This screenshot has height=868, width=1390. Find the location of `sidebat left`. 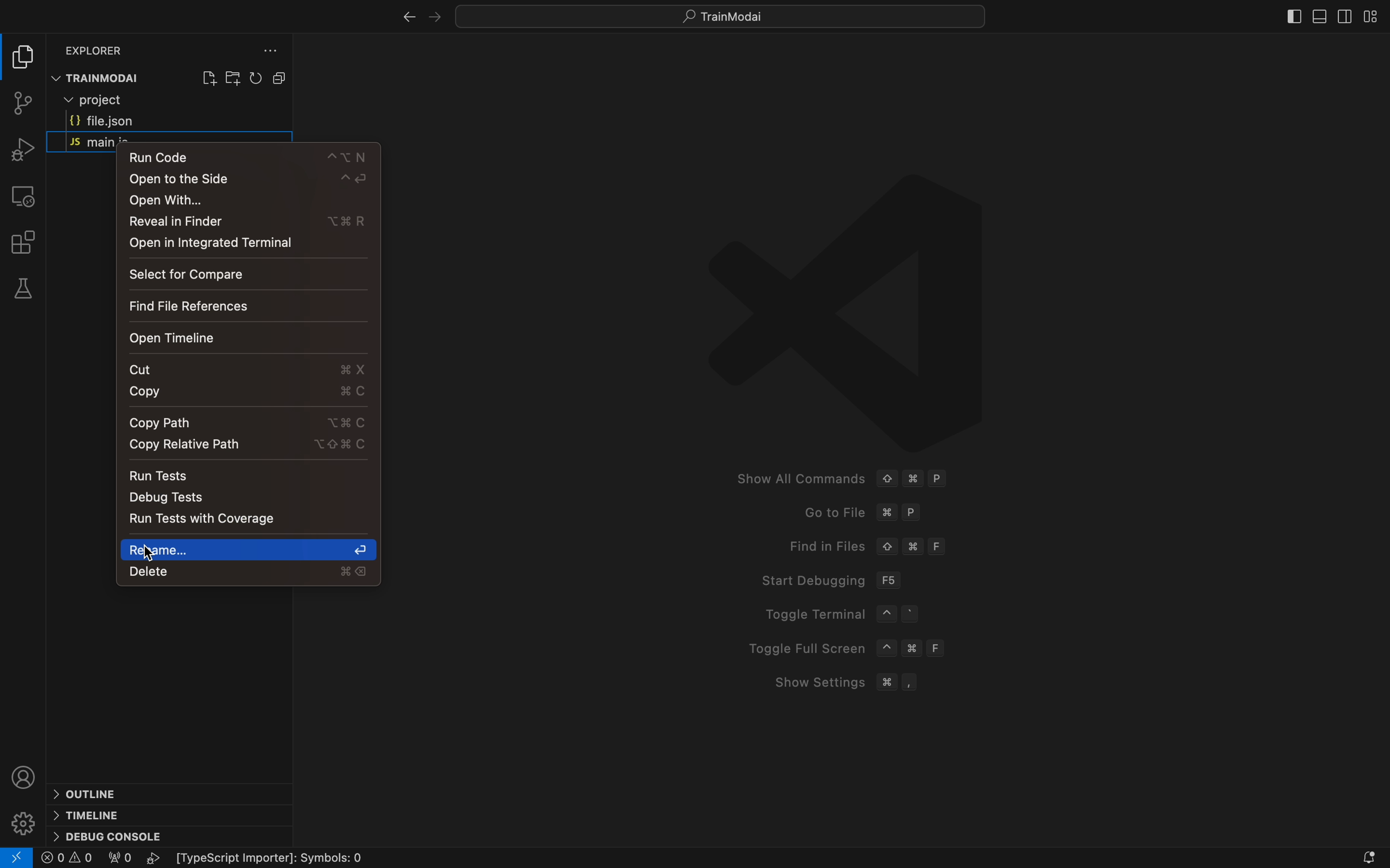

sidebat left is located at coordinates (1295, 16).